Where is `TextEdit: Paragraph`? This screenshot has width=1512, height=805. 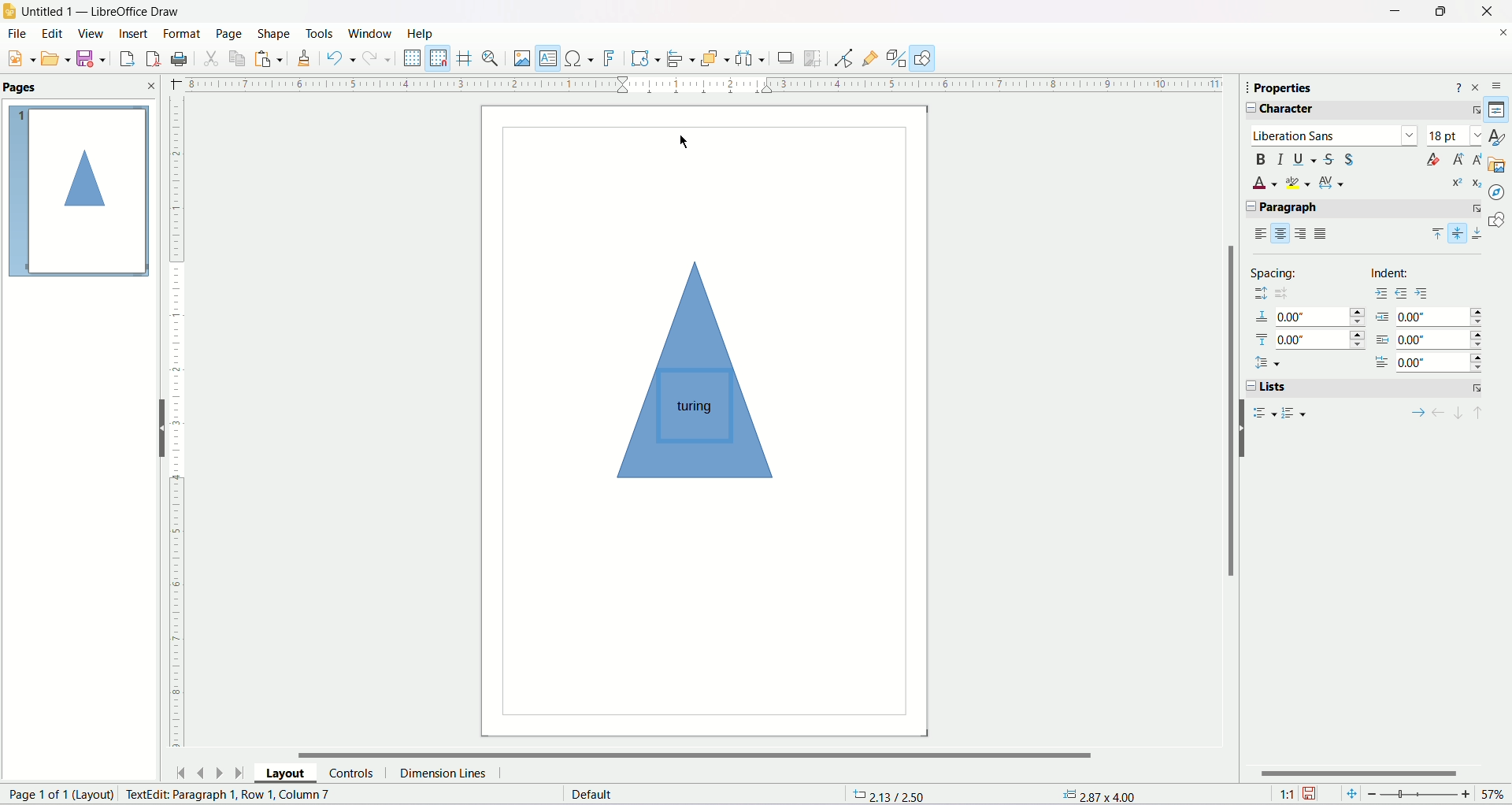 TextEdit: Paragraph is located at coordinates (168, 796).